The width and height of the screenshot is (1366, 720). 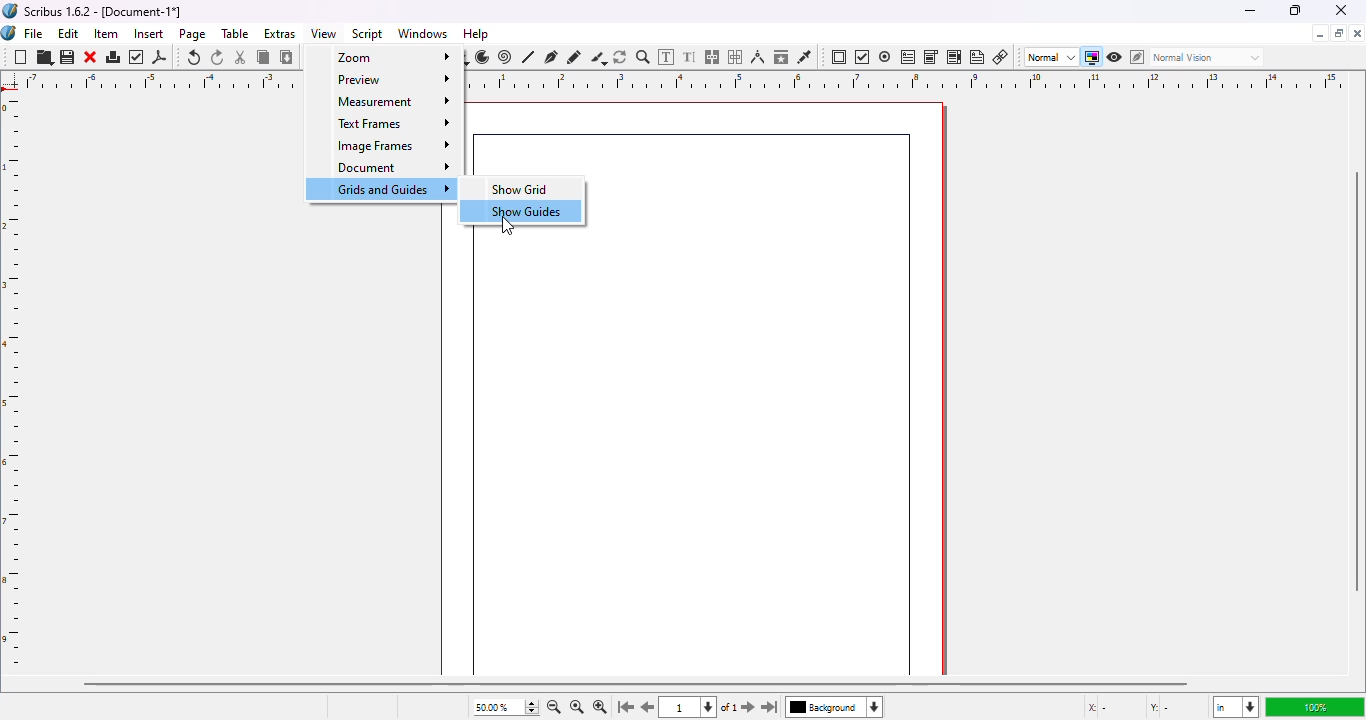 I want to click on PDF check box, so click(x=862, y=58).